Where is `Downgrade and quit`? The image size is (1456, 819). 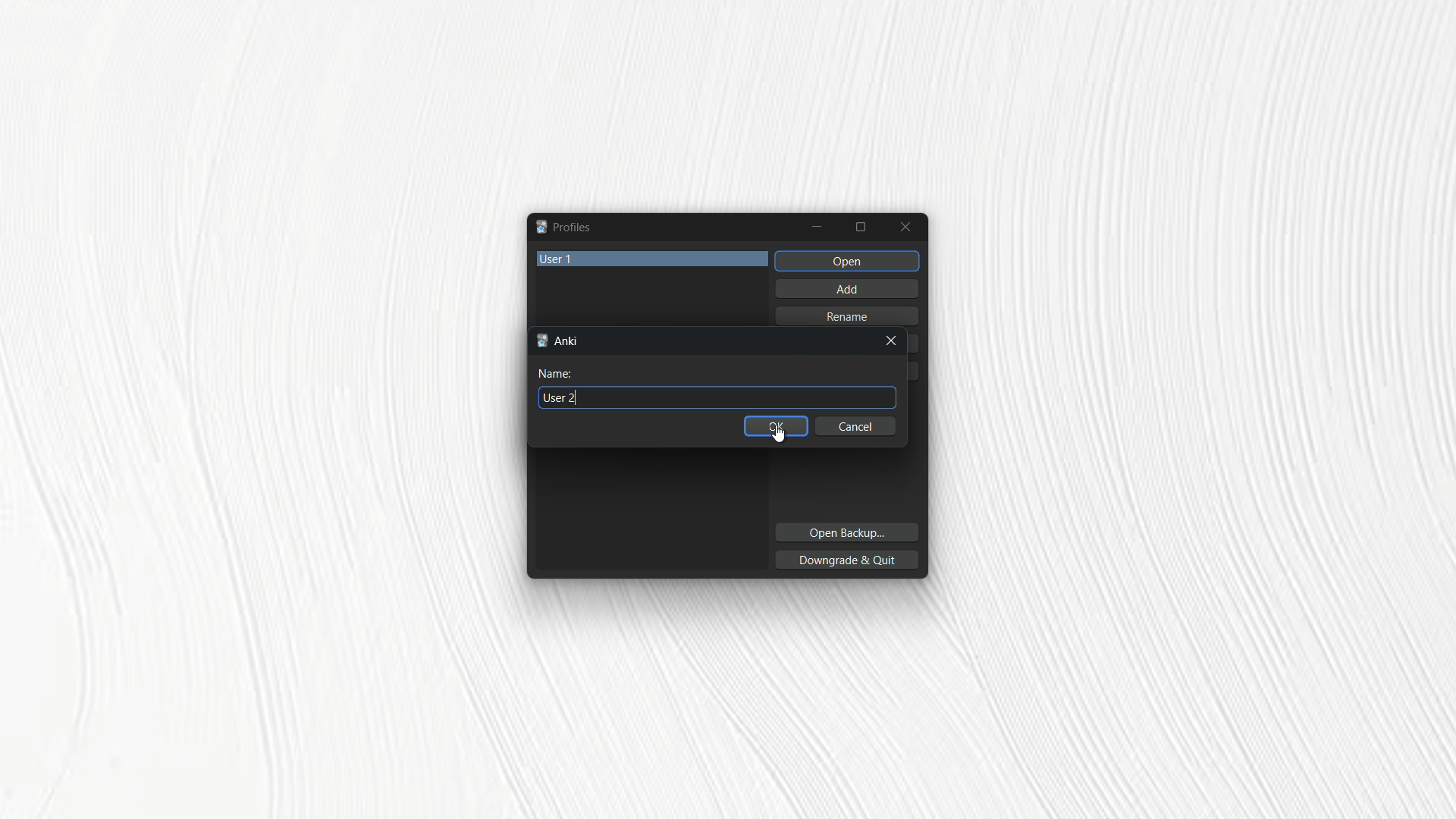
Downgrade and quit is located at coordinates (852, 560).